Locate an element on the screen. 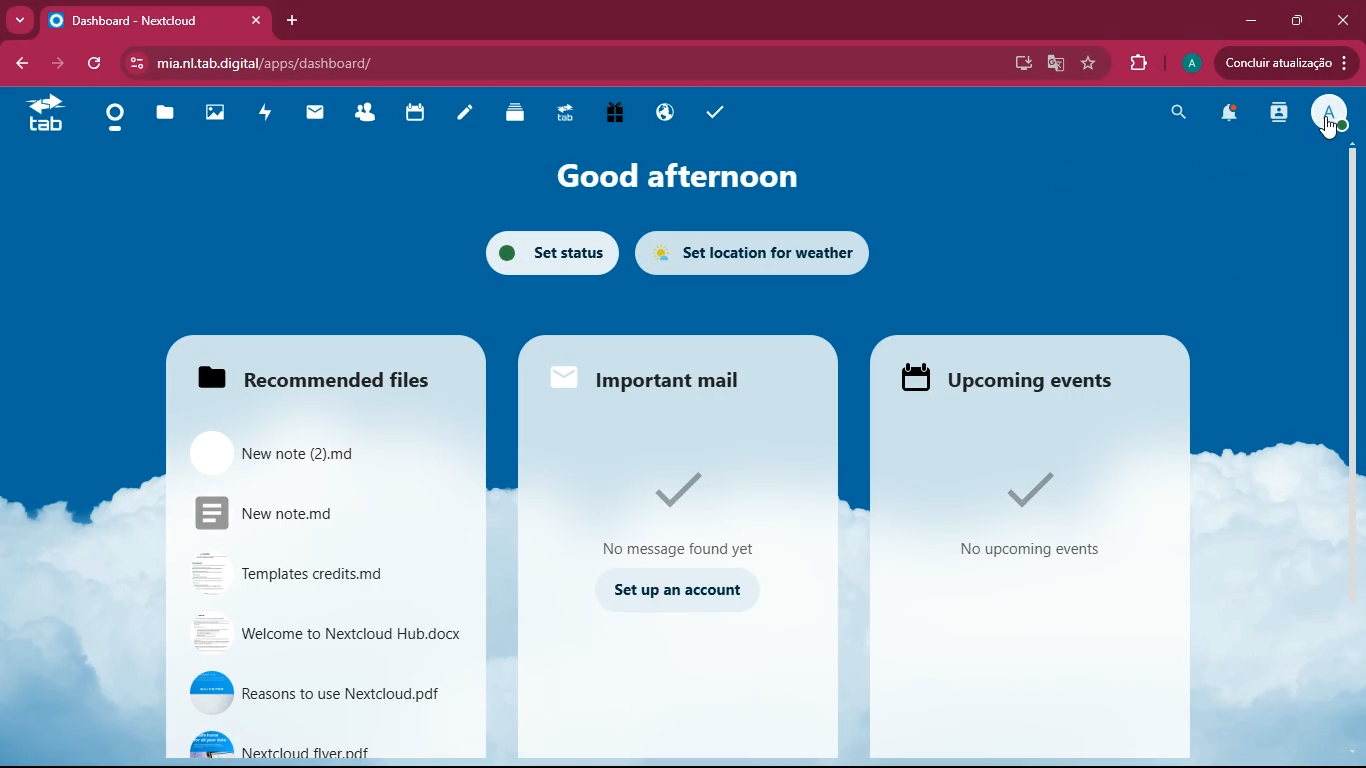  add tab is located at coordinates (292, 20).